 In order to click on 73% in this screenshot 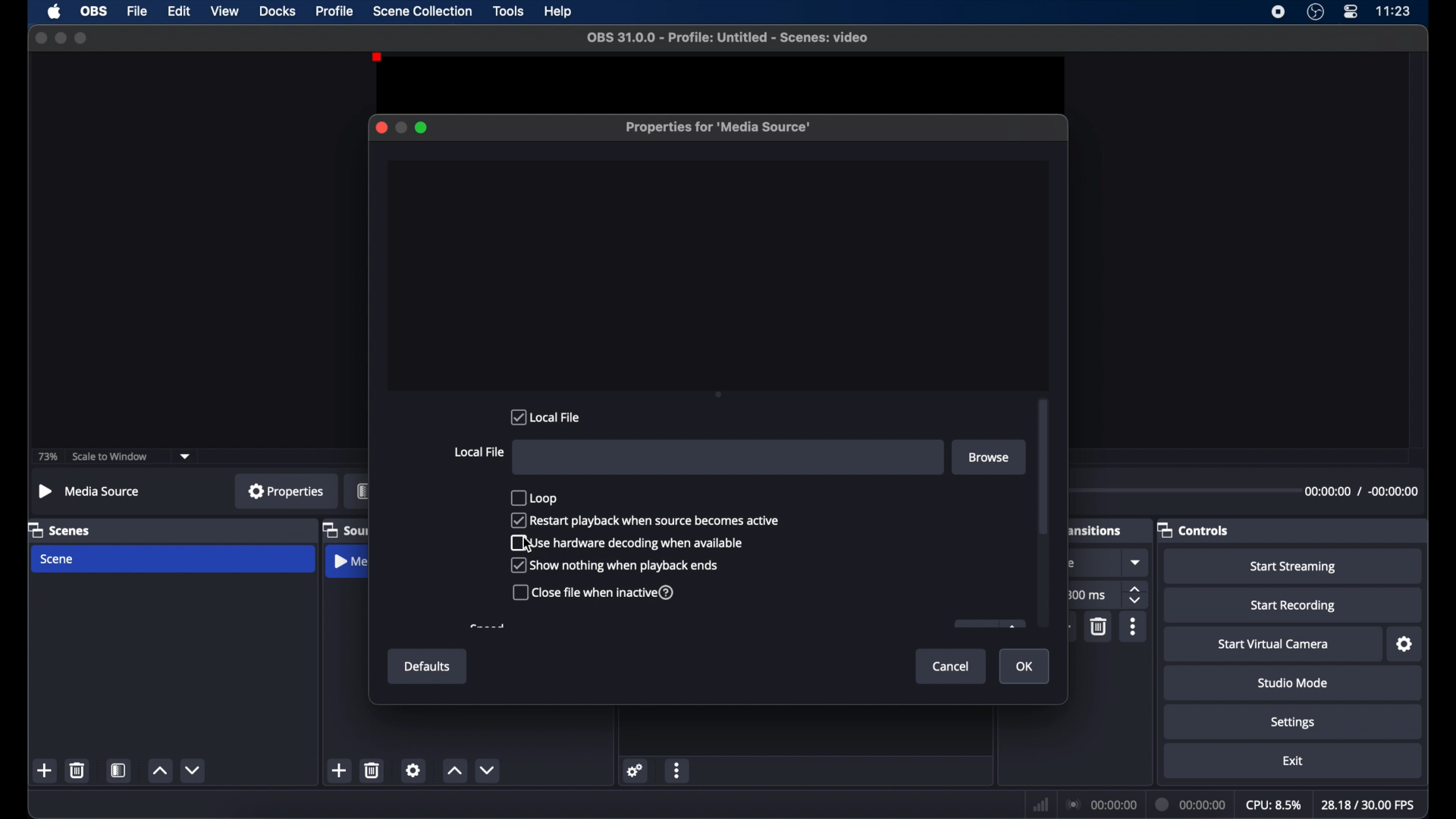, I will do `click(47, 457)`.